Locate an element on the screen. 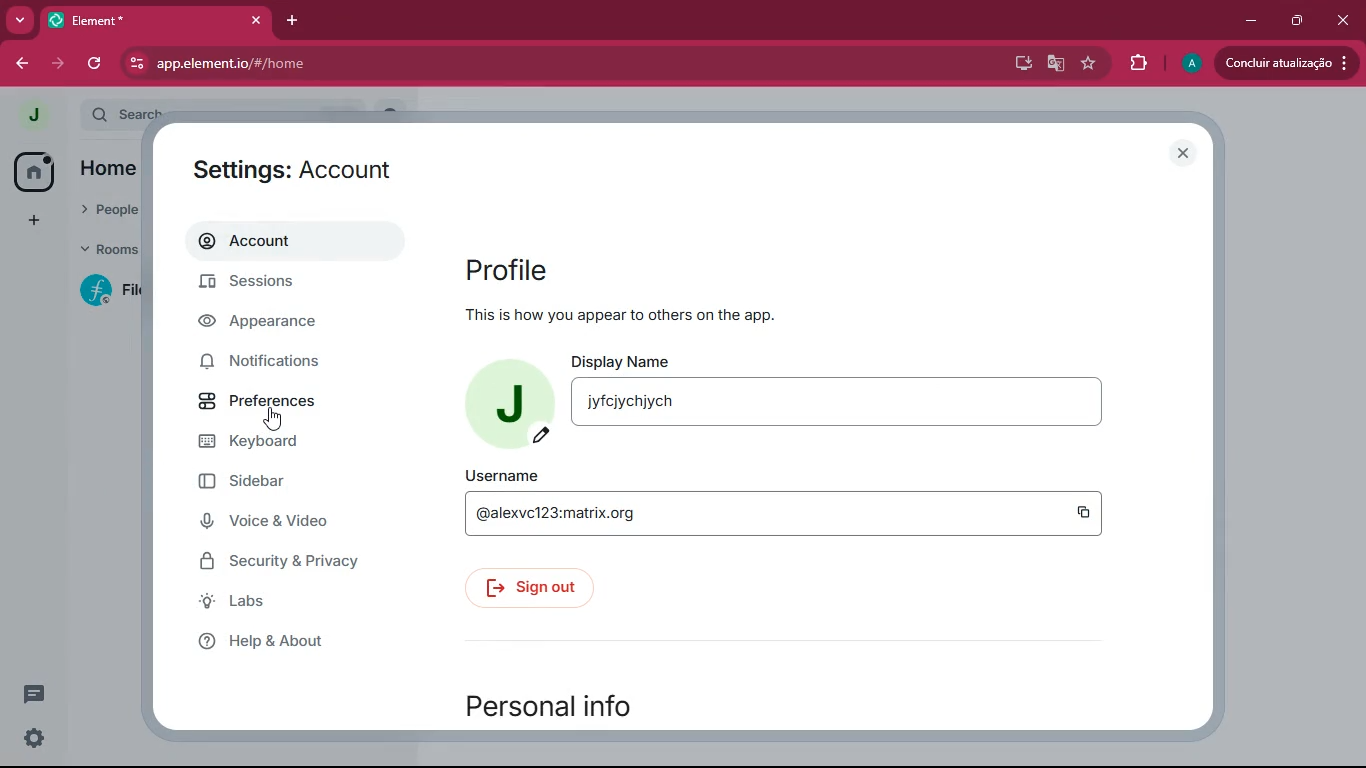 The height and width of the screenshot is (768, 1366). personal  is located at coordinates (572, 704).